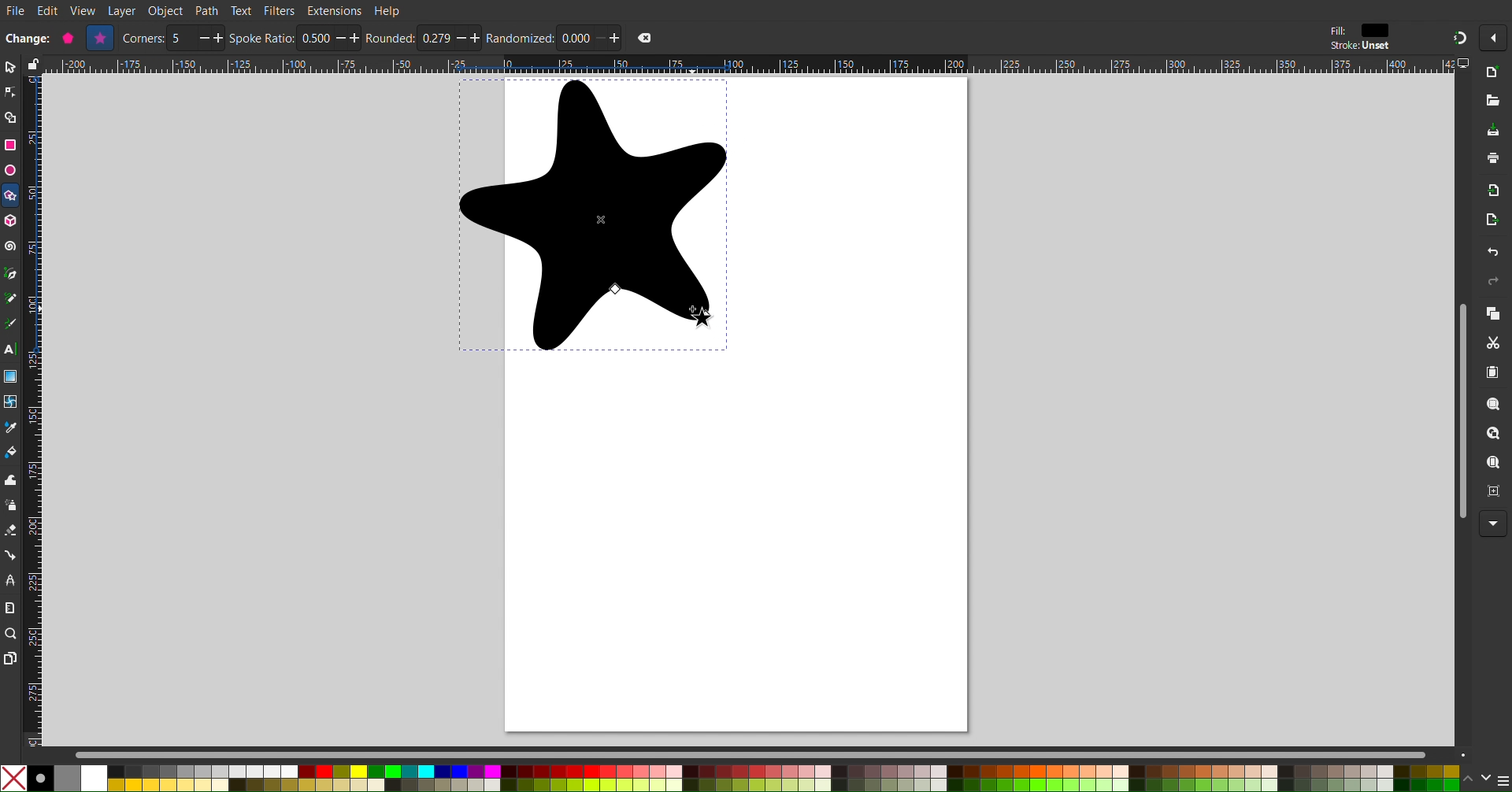 This screenshot has height=792, width=1512. I want to click on Node Tool, so click(10, 93).